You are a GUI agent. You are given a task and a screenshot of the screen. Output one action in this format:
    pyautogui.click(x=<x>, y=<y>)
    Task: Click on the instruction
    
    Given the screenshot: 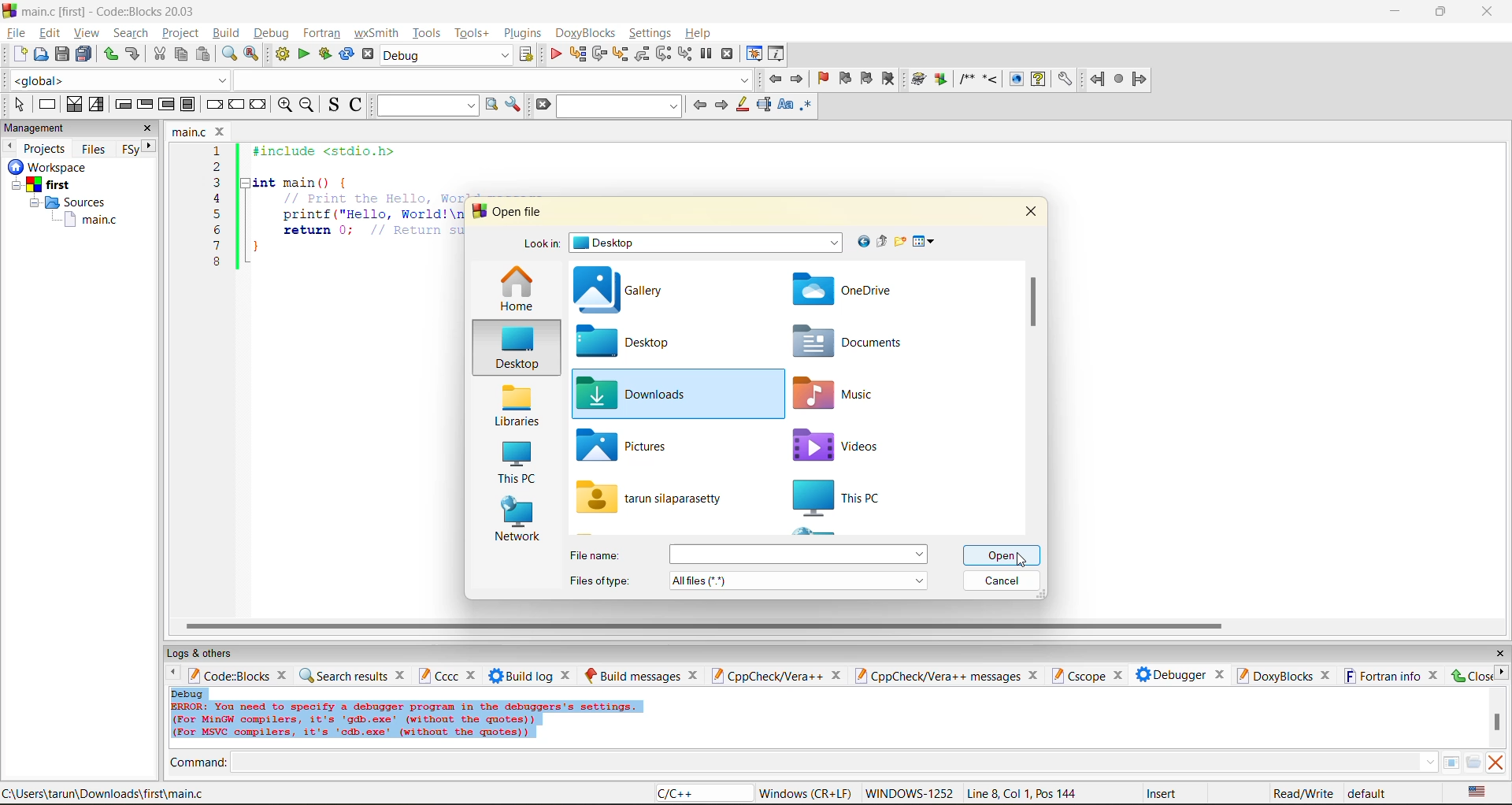 What is the action you would take?
    pyautogui.click(x=46, y=105)
    